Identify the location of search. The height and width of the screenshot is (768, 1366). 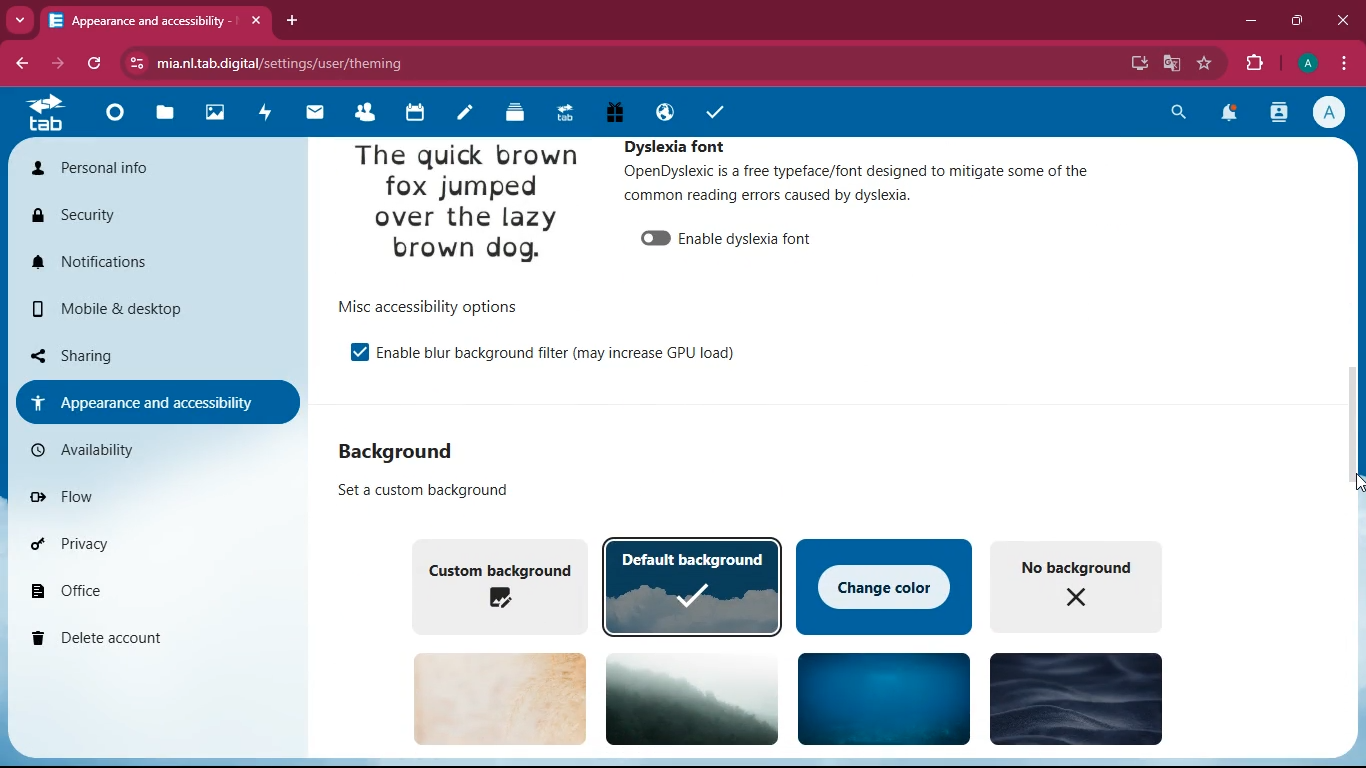
(1176, 115).